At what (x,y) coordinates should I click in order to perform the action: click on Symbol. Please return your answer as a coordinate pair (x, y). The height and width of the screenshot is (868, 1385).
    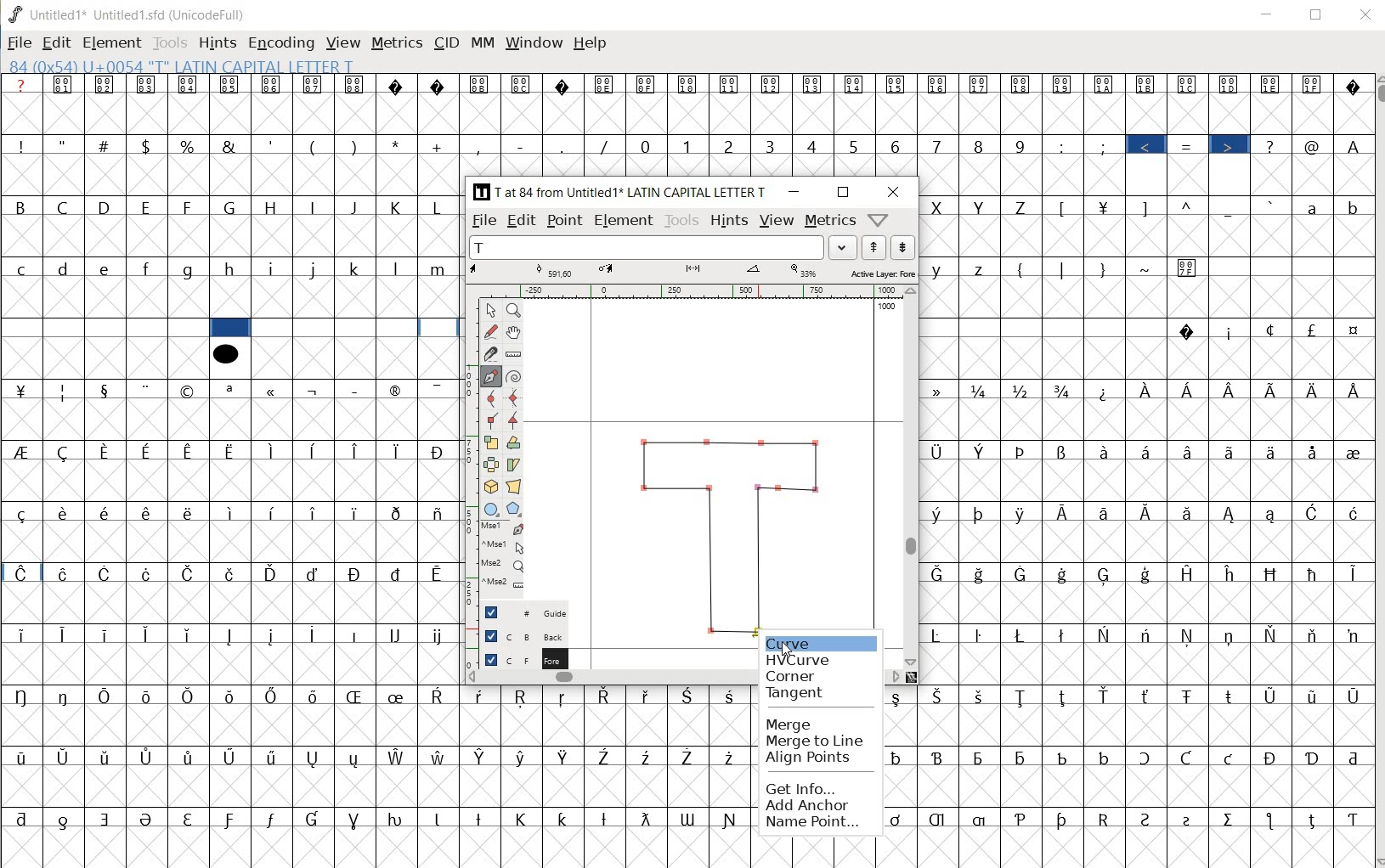
    Looking at the image, I should click on (482, 696).